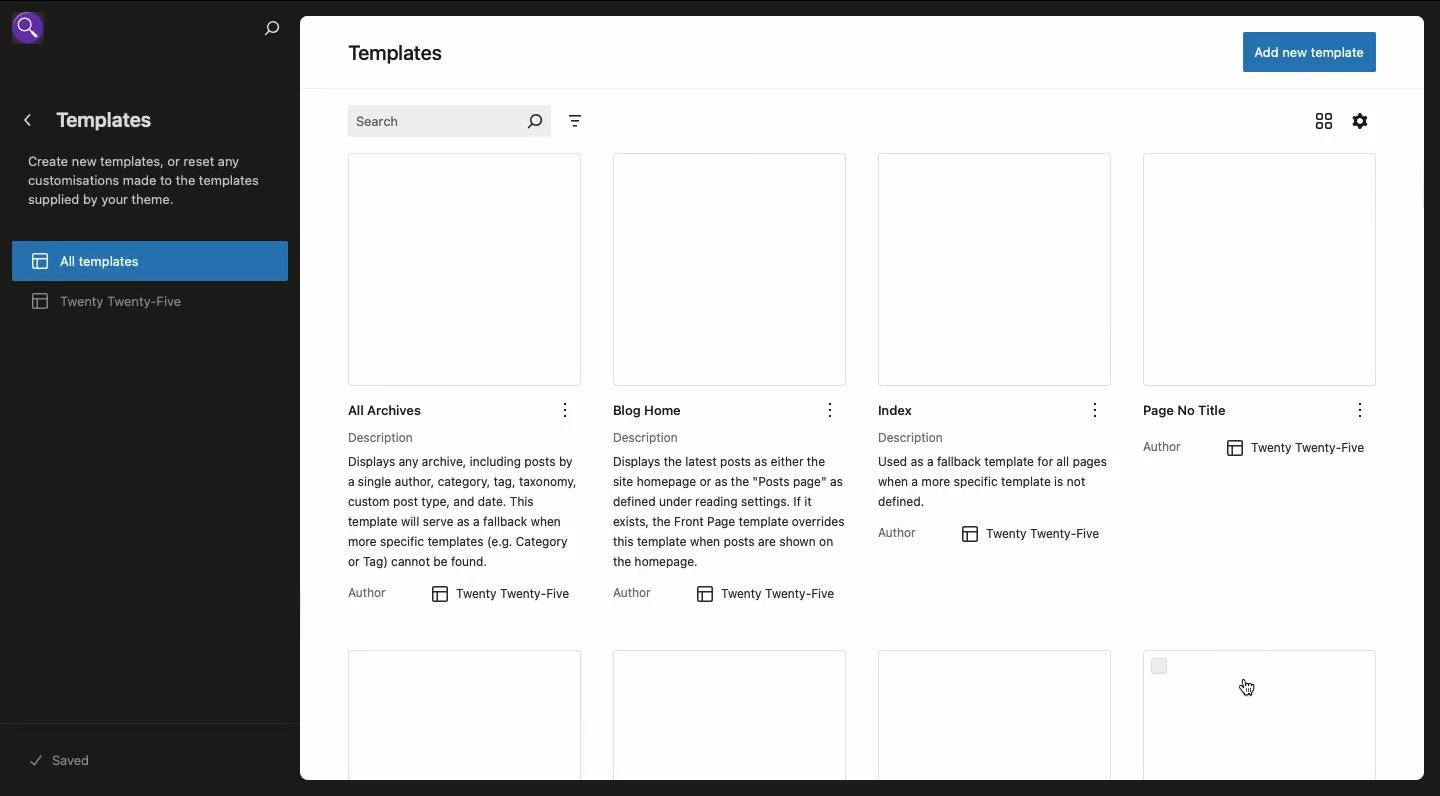 Image resolution: width=1440 pixels, height=796 pixels. What do you see at coordinates (1310, 51) in the screenshot?
I see `Add new template` at bounding box center [1310, 51].